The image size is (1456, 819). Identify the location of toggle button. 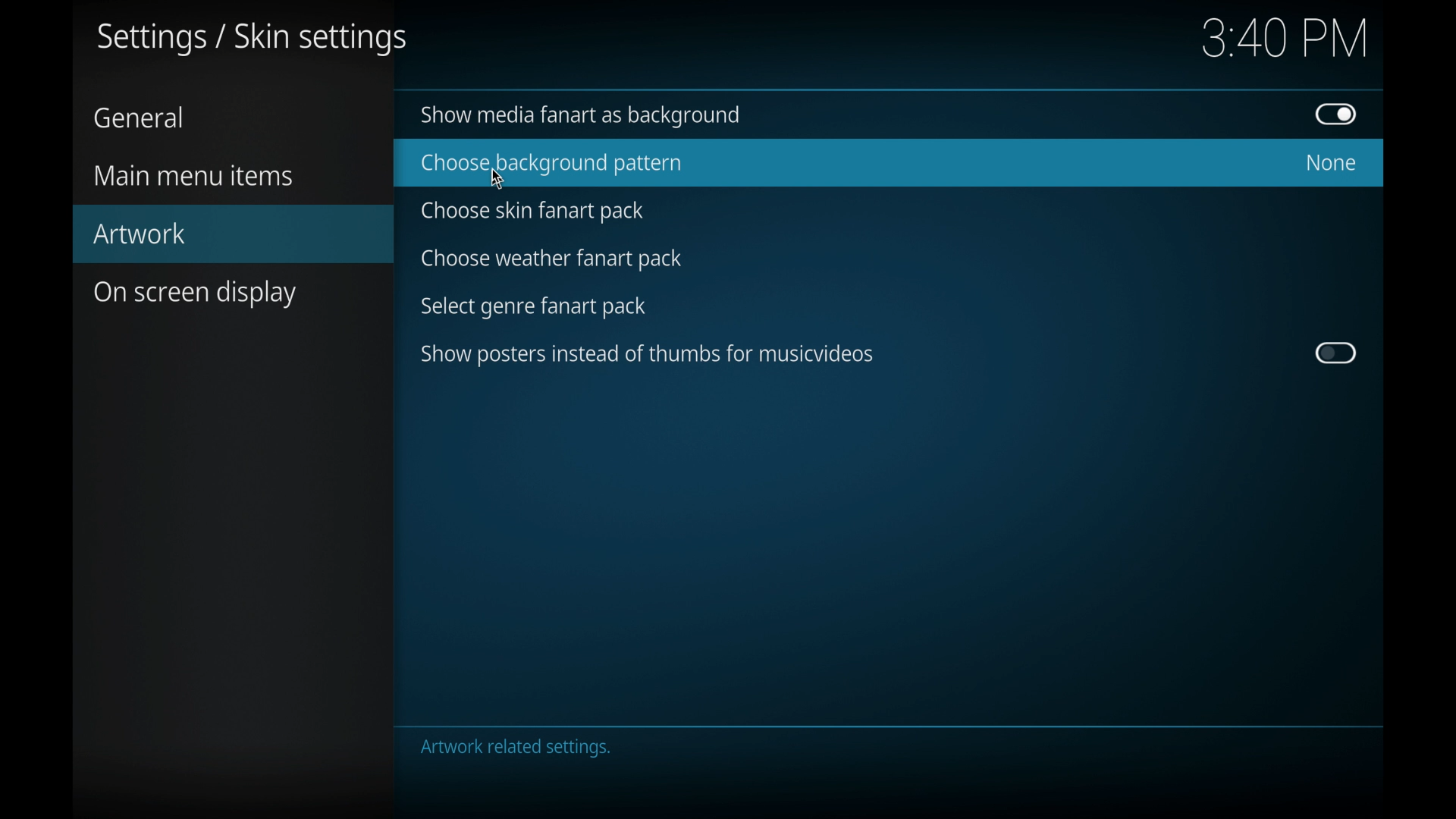
(1336, 114).